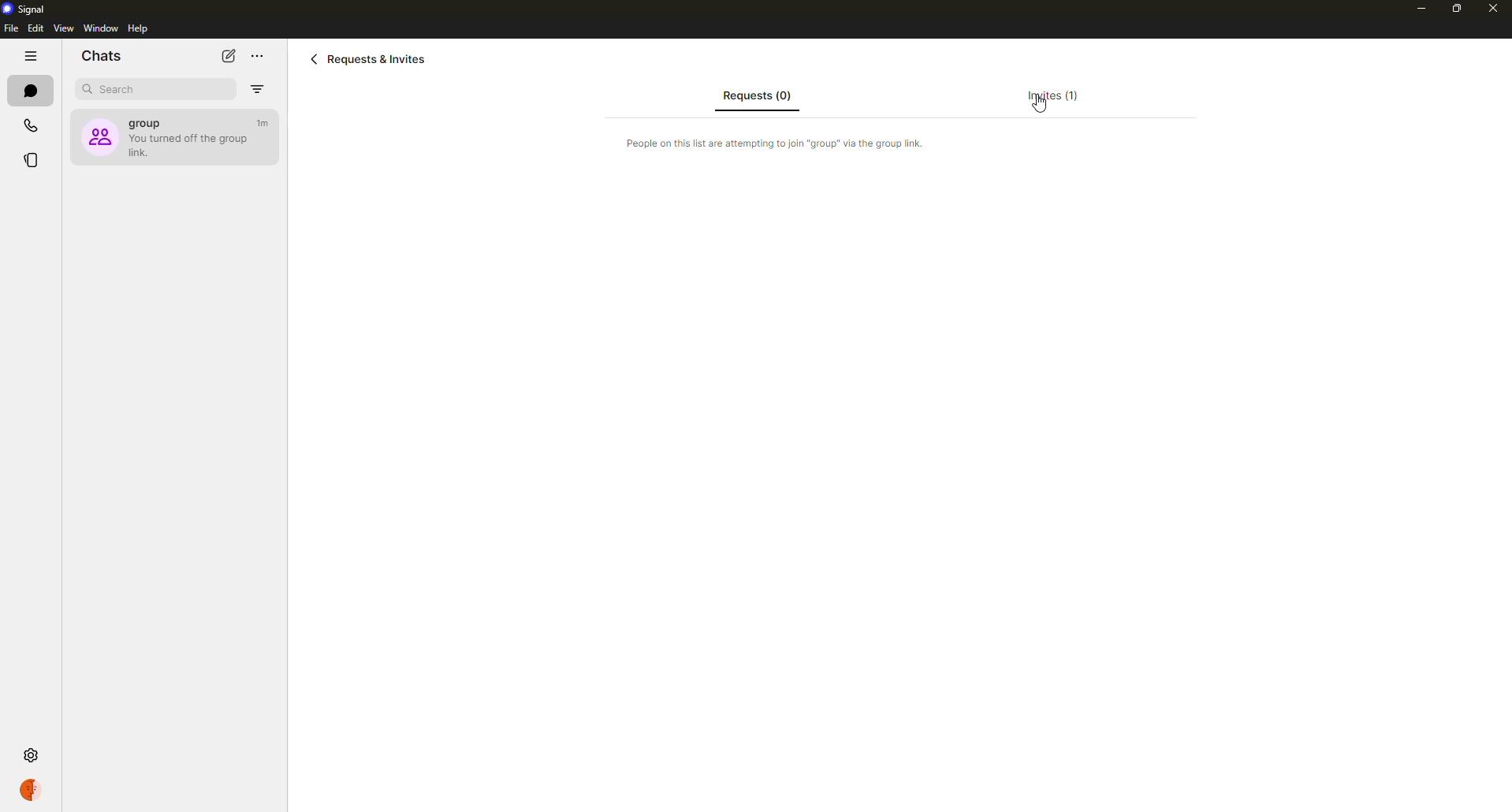  Describe the element at coordinates (172, 135) in the screenshot. I see `group` at that location.